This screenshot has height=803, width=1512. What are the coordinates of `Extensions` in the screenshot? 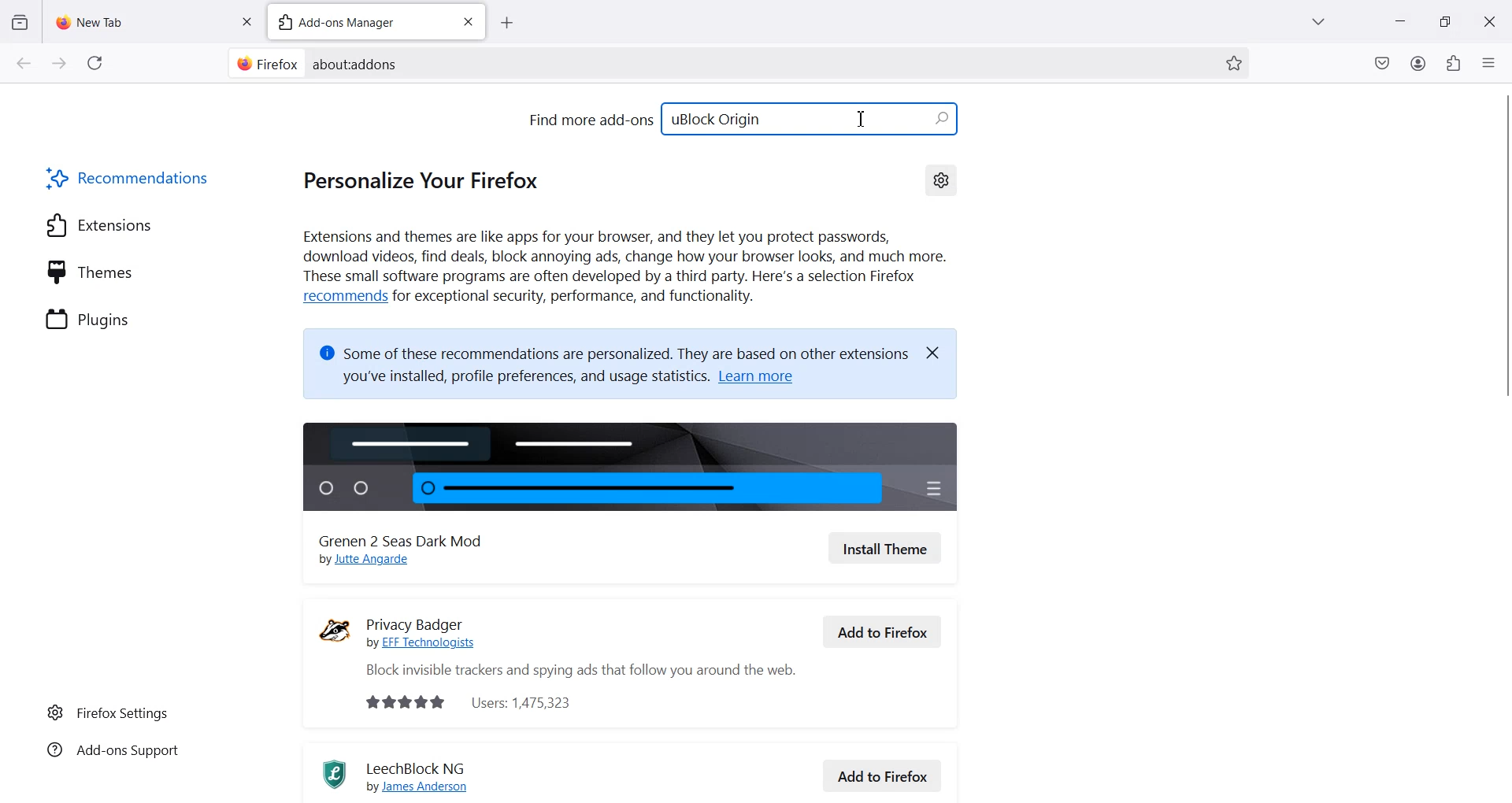 It's located at (1453, 63).